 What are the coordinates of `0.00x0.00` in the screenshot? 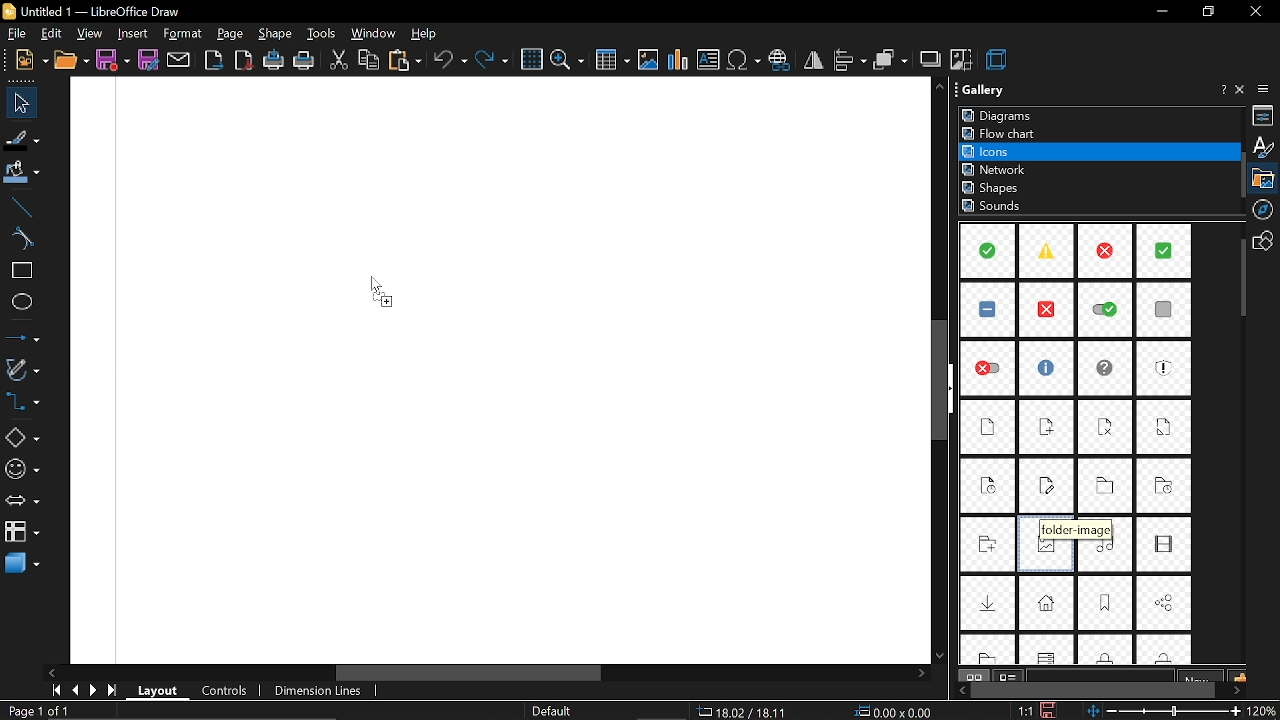 It's located at (894, 712).